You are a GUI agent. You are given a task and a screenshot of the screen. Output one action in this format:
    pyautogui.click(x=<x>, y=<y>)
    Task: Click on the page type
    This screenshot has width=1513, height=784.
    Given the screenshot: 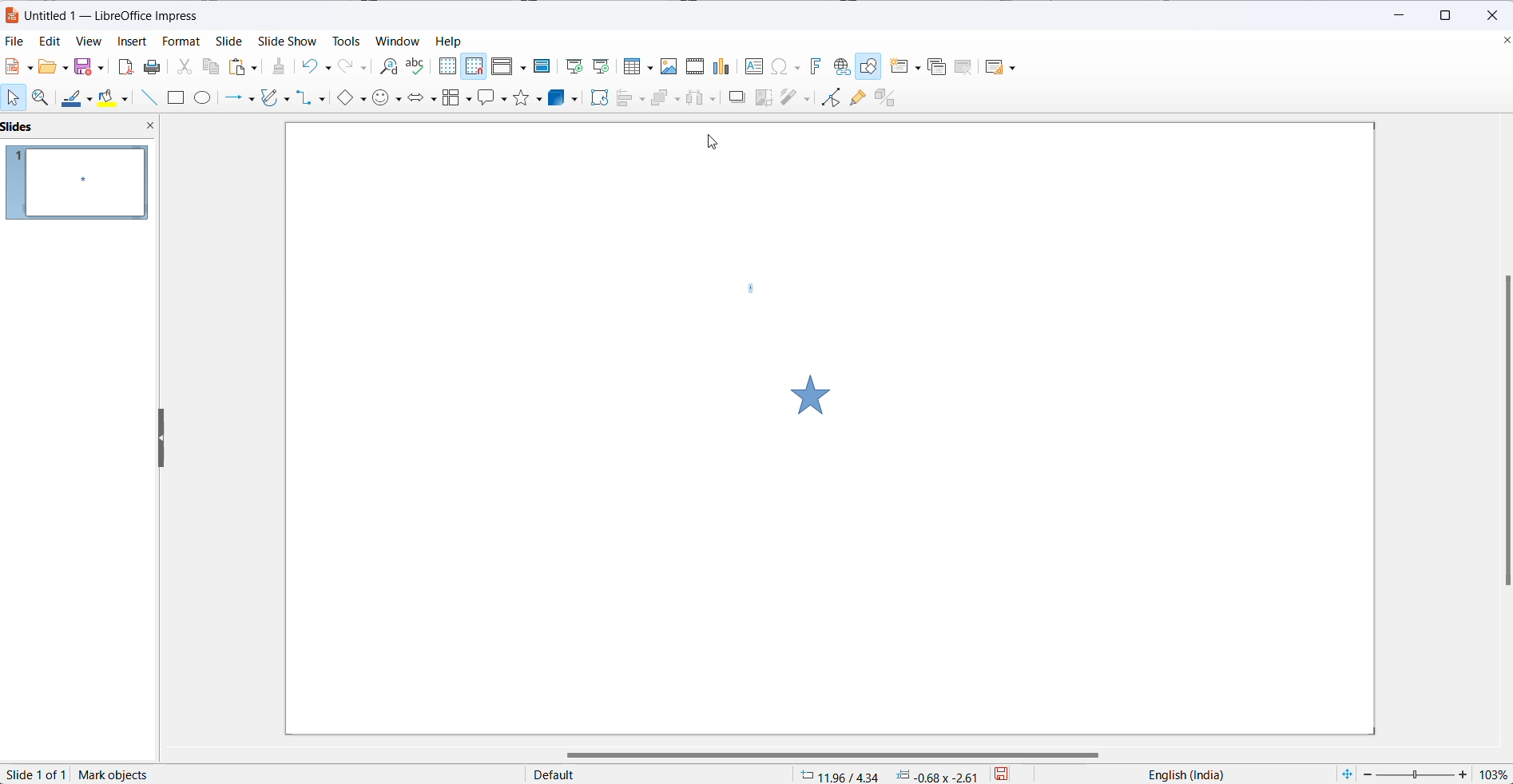 What is the action you would take?
    pyautogui.click(x=657, y=775)
    